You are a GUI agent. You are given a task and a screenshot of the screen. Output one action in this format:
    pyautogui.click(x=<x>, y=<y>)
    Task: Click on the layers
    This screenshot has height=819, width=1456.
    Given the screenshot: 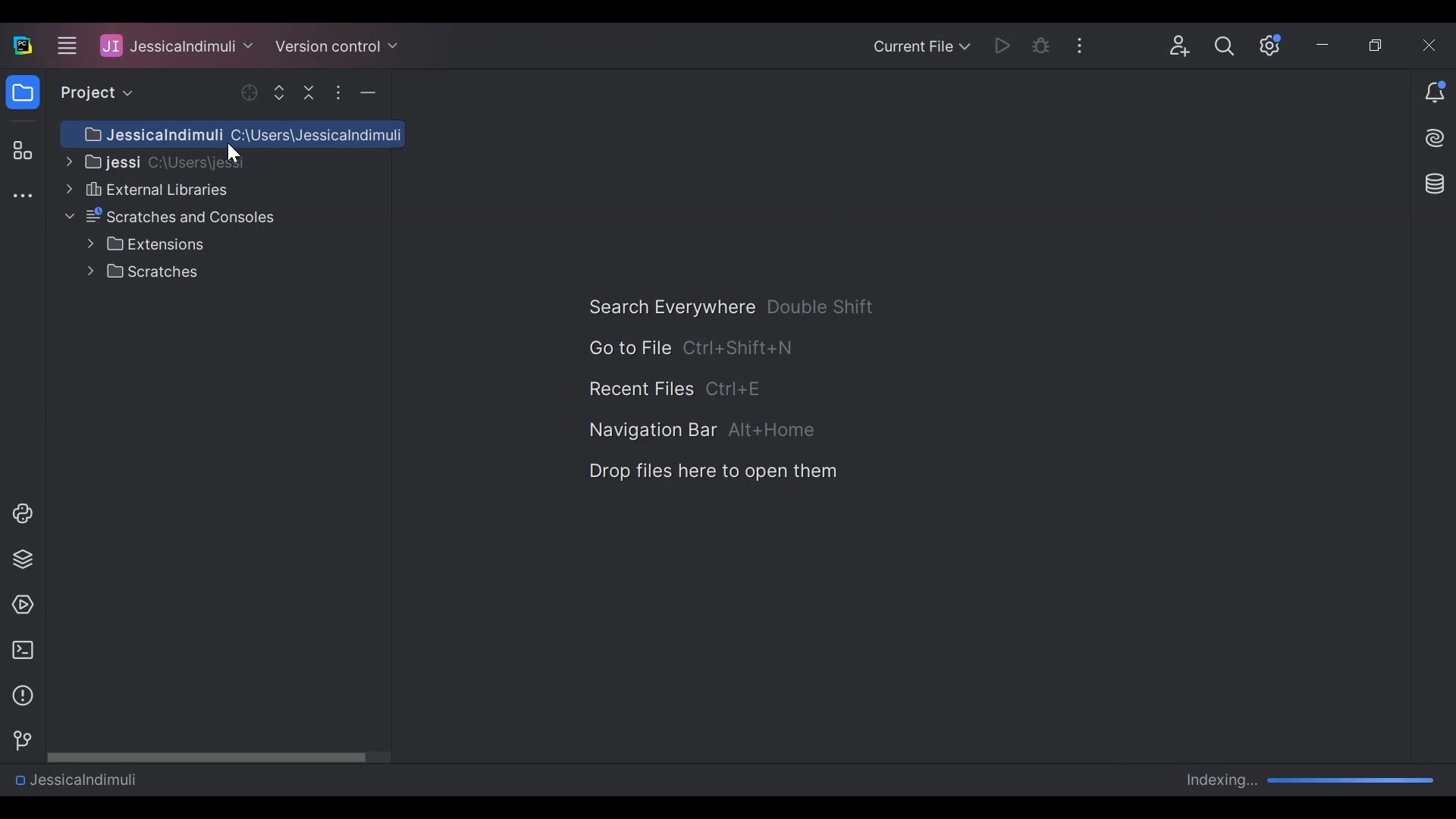 What is the action you would take?
    pyautogui.click(x=22, y=558)
    